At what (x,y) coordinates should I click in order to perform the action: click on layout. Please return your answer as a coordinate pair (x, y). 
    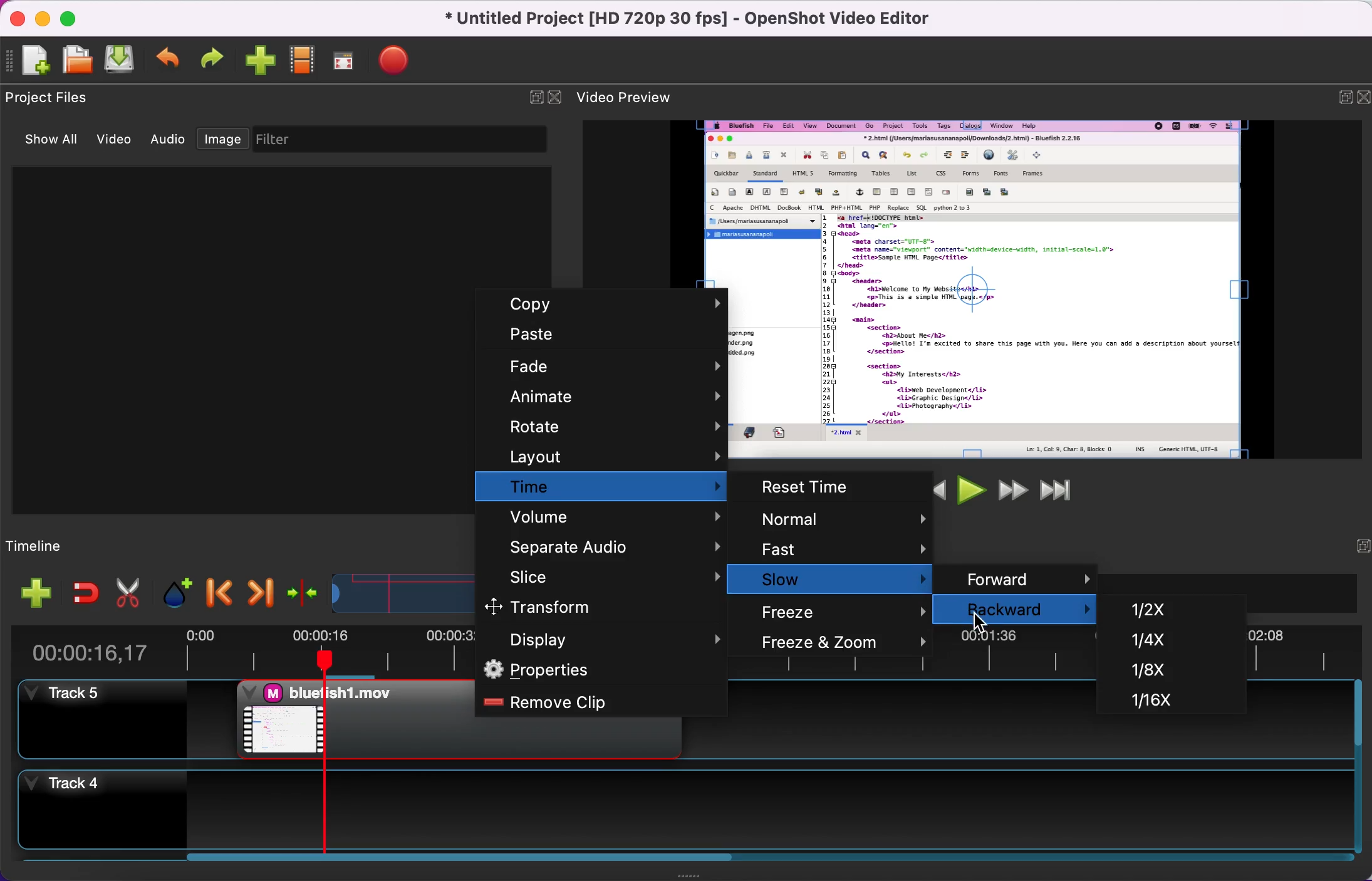
    Looking at the image, I should click on (603, 456).